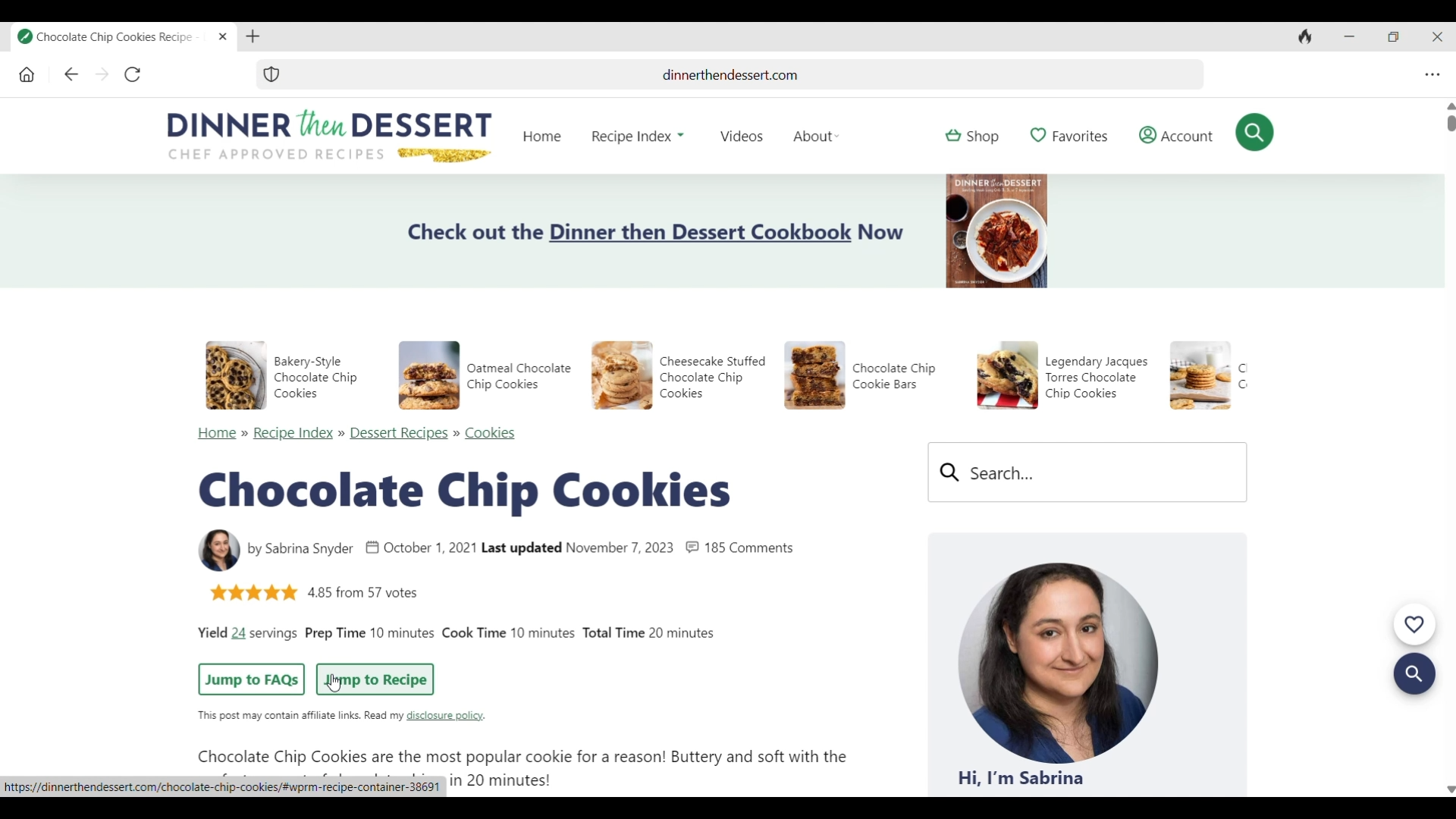 Image resolution: width=1456 pixels, height=819 pixels. I want to click on Search box for current website, so click(1088, 472).